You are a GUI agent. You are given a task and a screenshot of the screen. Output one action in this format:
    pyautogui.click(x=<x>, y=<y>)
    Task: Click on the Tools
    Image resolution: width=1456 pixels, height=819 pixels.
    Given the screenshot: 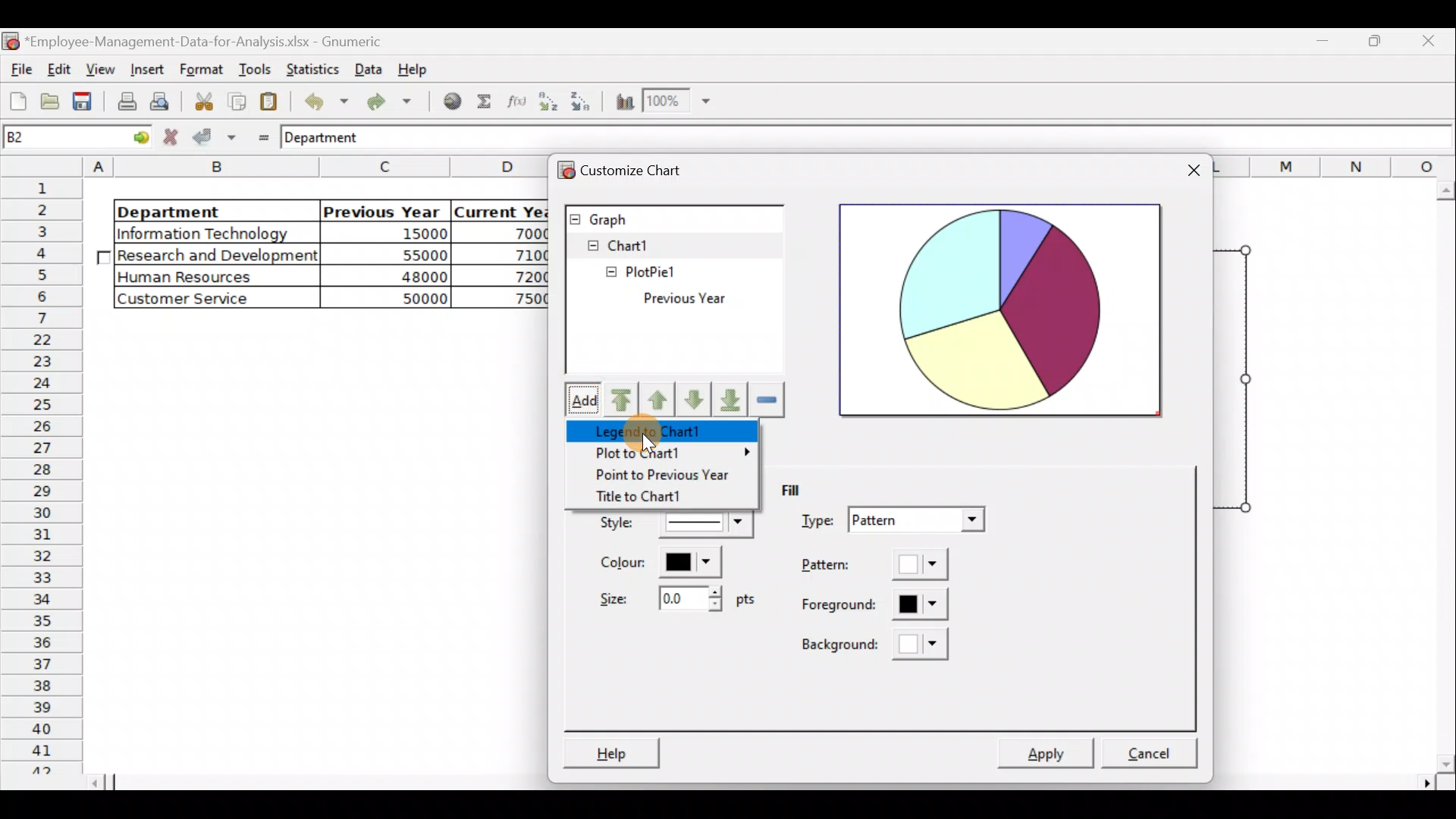 What is the action you would take?
    pyautogui.click(x=251, y=68)
    